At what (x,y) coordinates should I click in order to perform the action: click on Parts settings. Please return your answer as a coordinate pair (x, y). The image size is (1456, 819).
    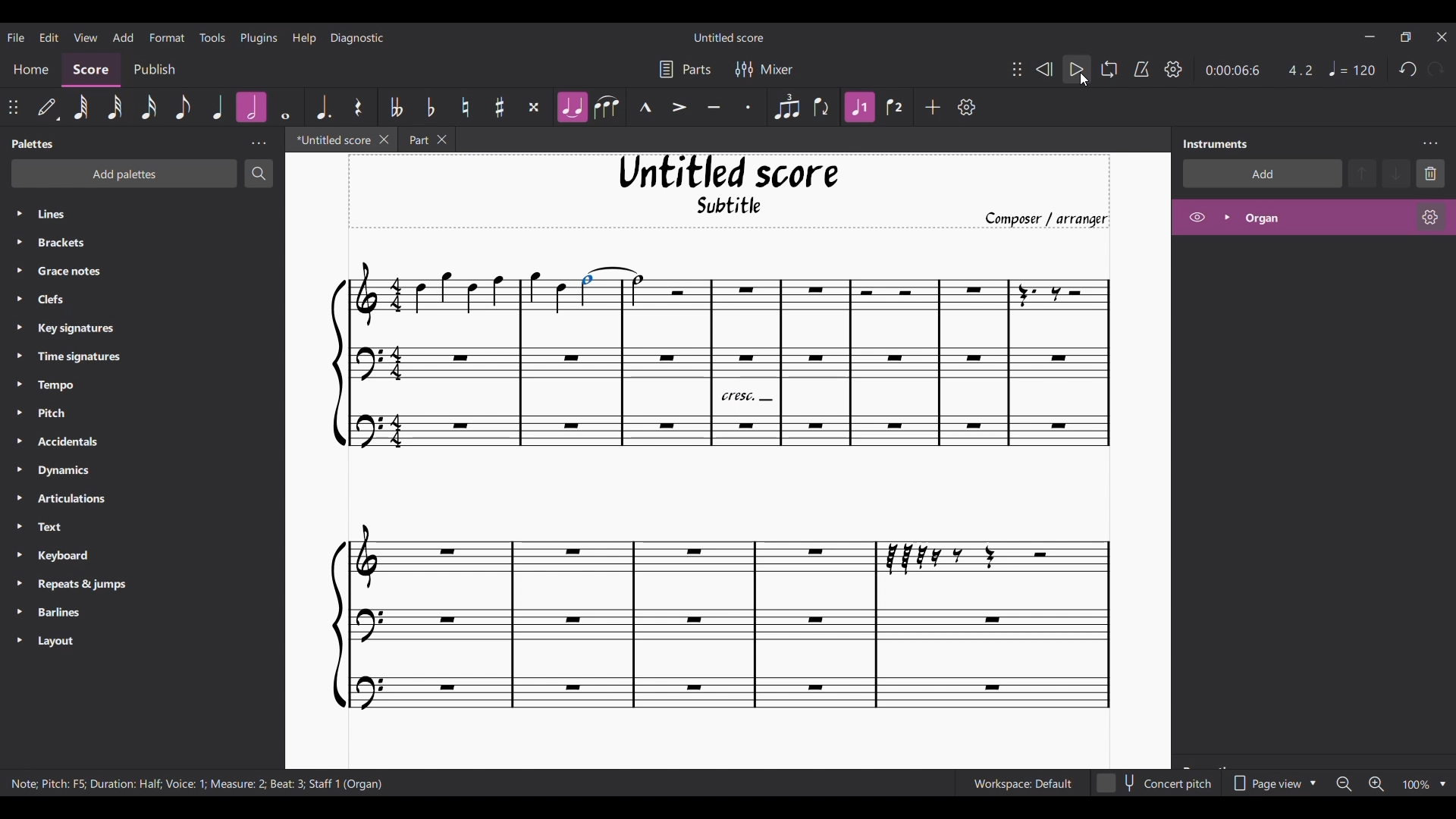
    Looking at the image, I should click on (686, 69).